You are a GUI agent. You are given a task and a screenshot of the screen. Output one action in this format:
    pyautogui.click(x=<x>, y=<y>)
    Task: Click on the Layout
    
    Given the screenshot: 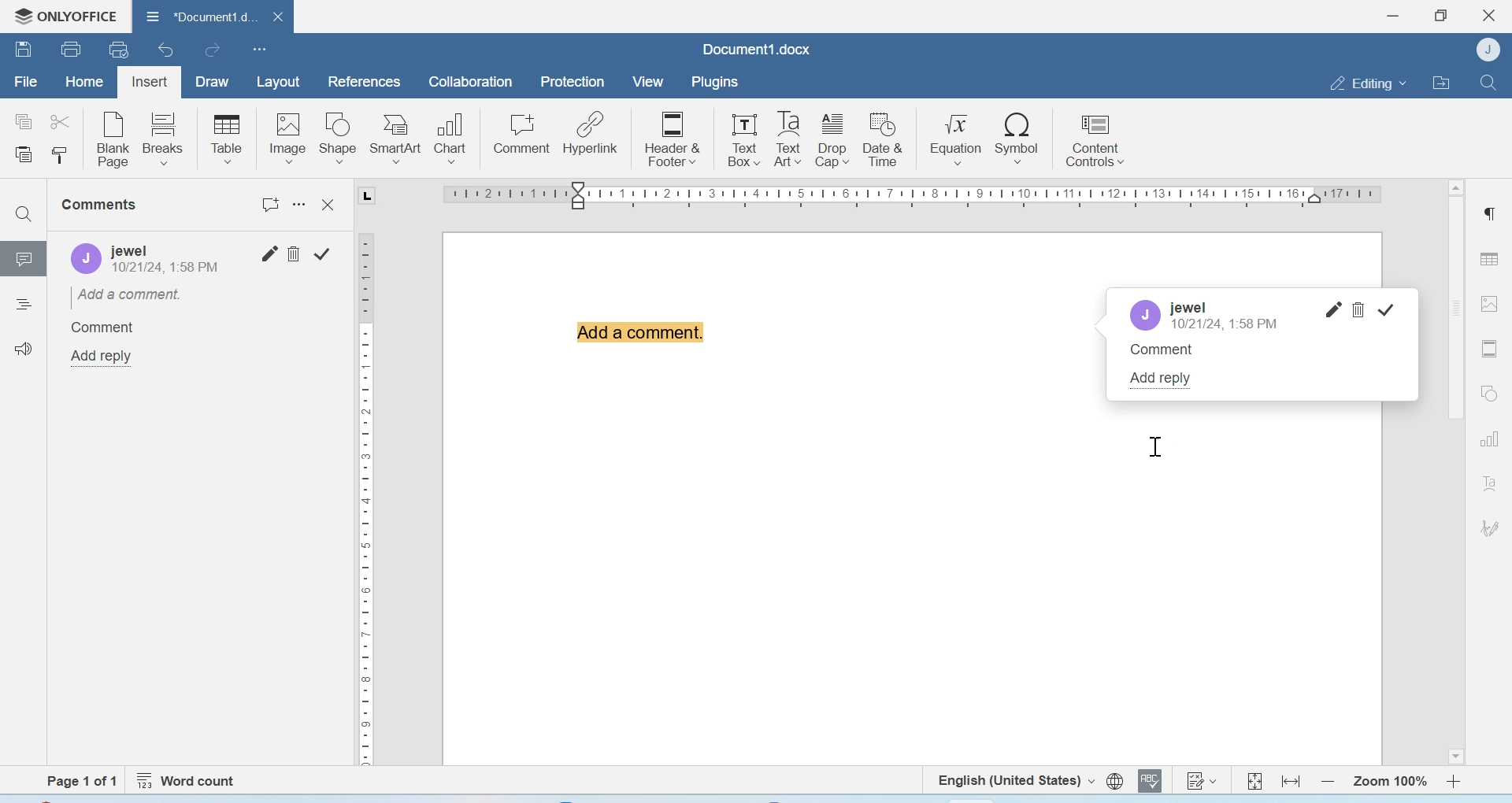 What is the action you would take?
    pyautogui.click(x=277, y=83)
    